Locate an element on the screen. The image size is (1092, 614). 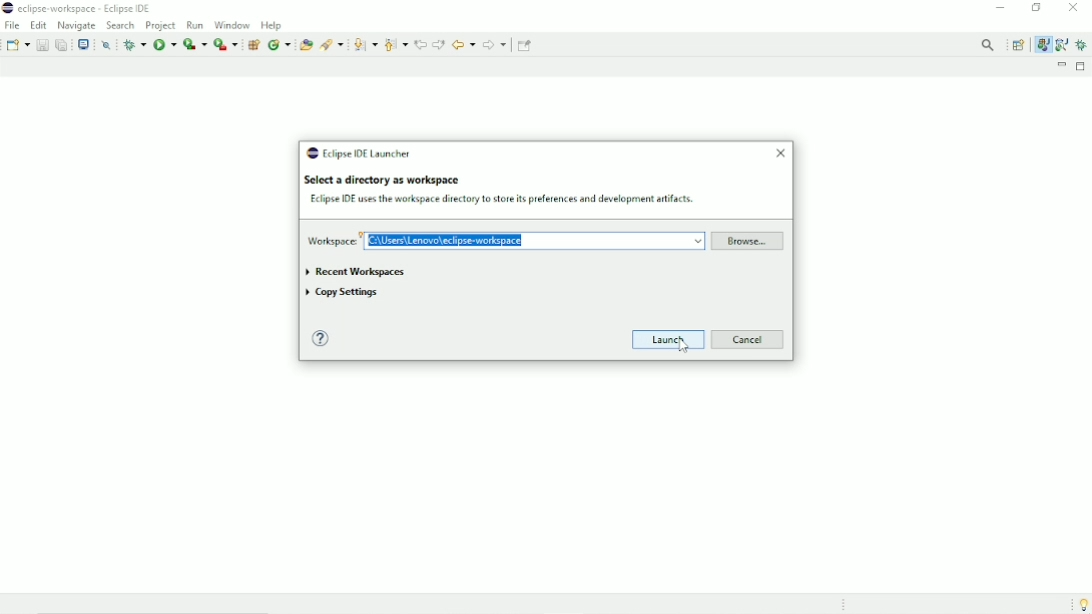
Close is located at coordinates (1074, 9).